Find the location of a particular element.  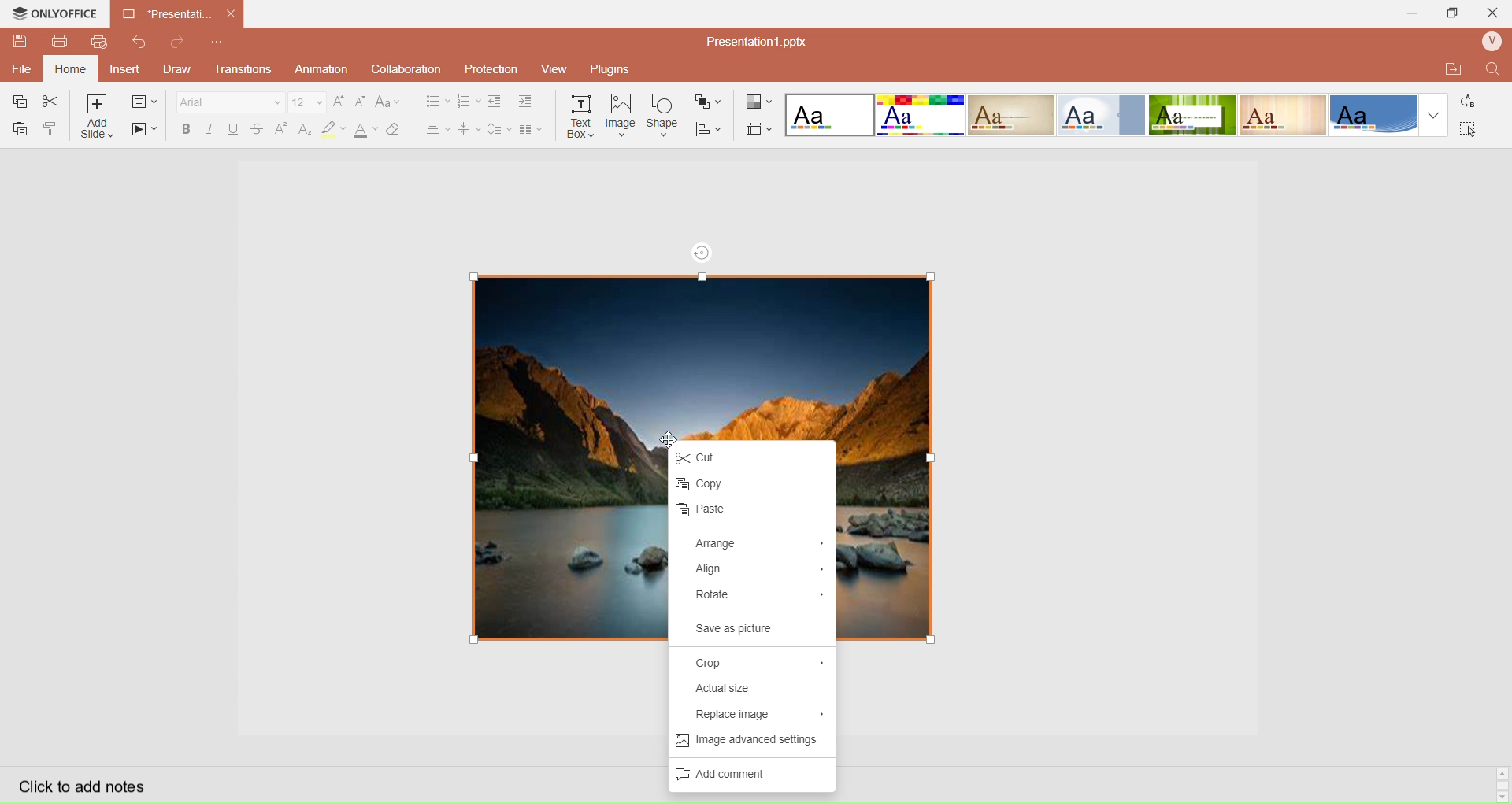

Highlight Color is located at coordinates (335, 130).